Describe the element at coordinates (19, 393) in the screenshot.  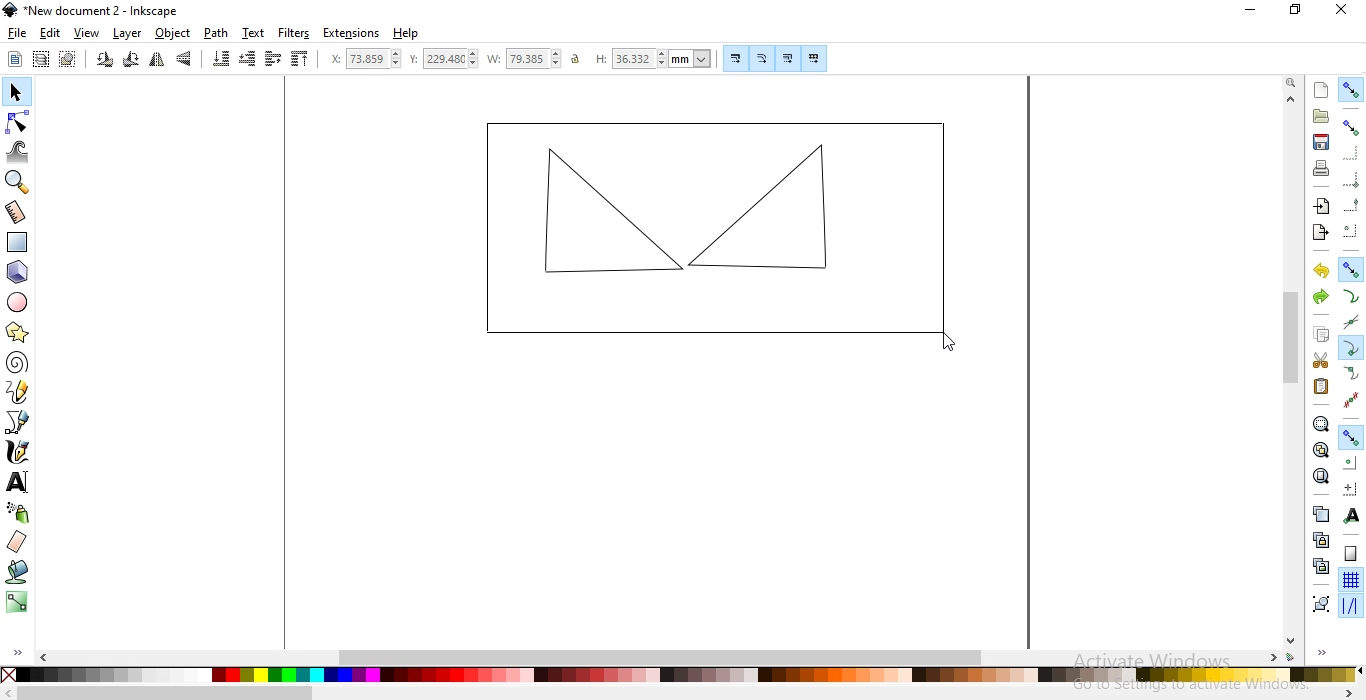
I see `draw freehand lines` at that location.